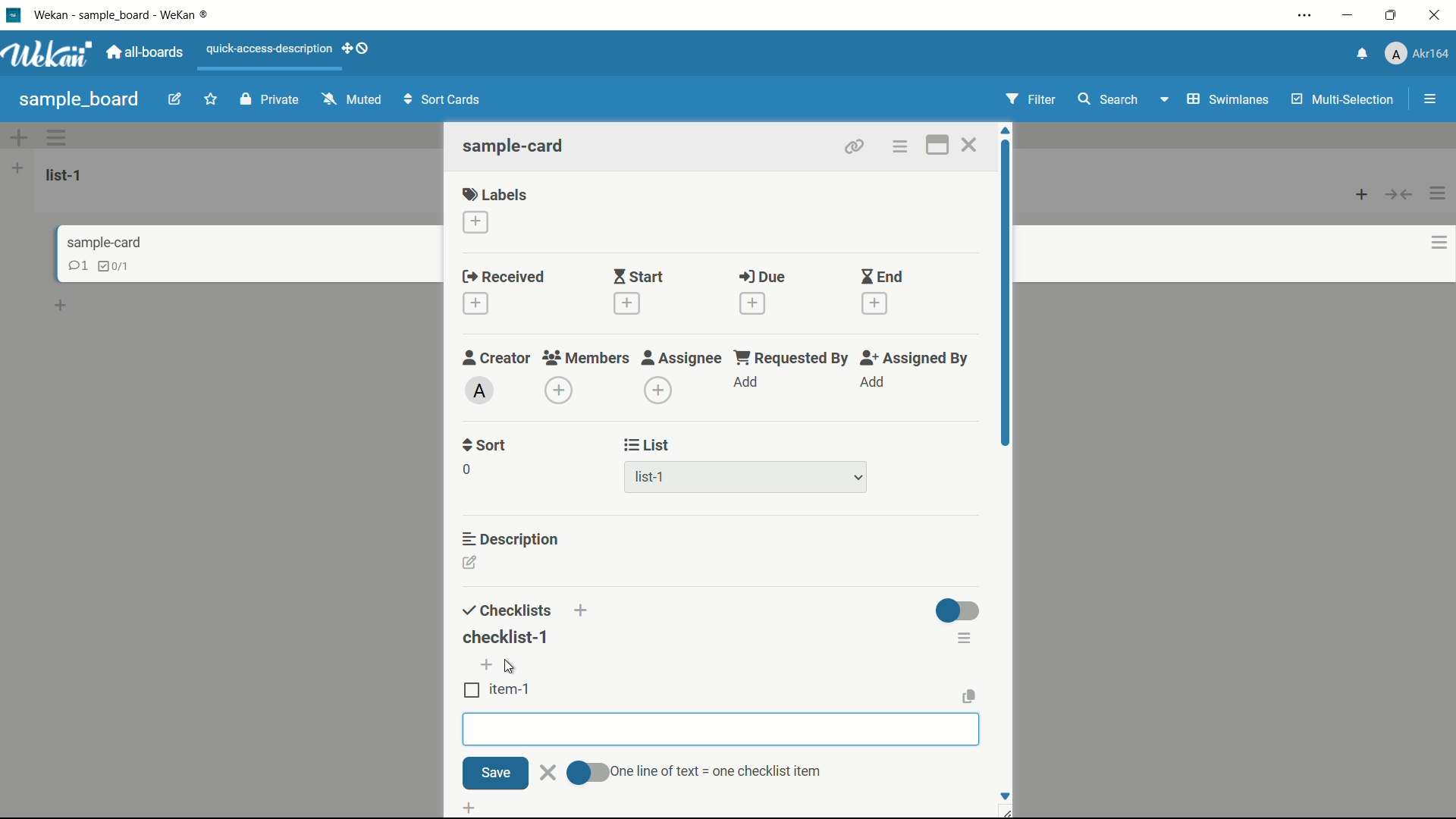 This screenshot has width=1456, height=819. Describe the element at coordinates (899, 147) in the screenshot. I see `card actions` at that location.